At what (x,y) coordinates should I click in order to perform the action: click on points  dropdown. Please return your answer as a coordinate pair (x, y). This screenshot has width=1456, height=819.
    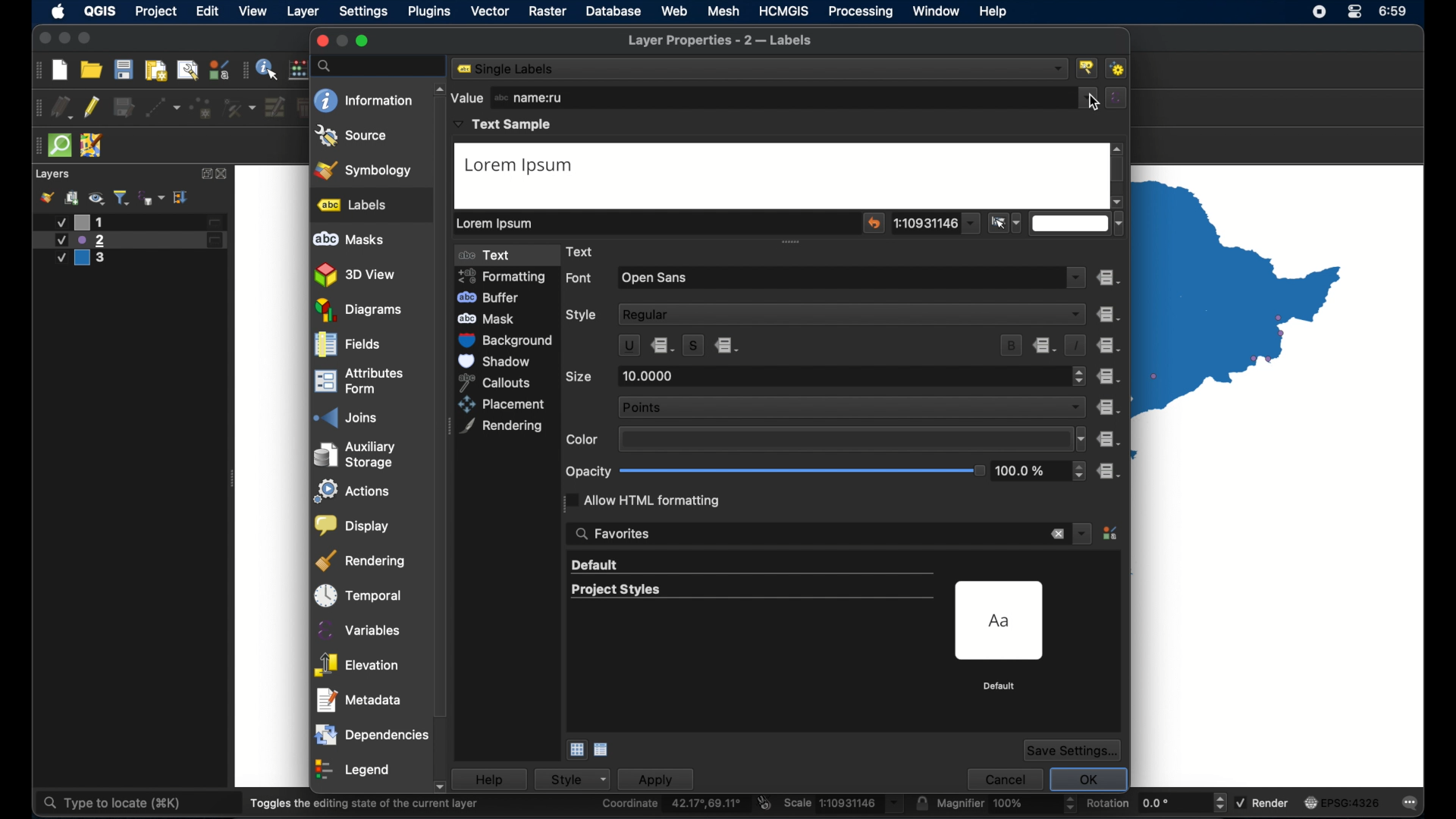
    Looking at the image, I should click on (851, 406).